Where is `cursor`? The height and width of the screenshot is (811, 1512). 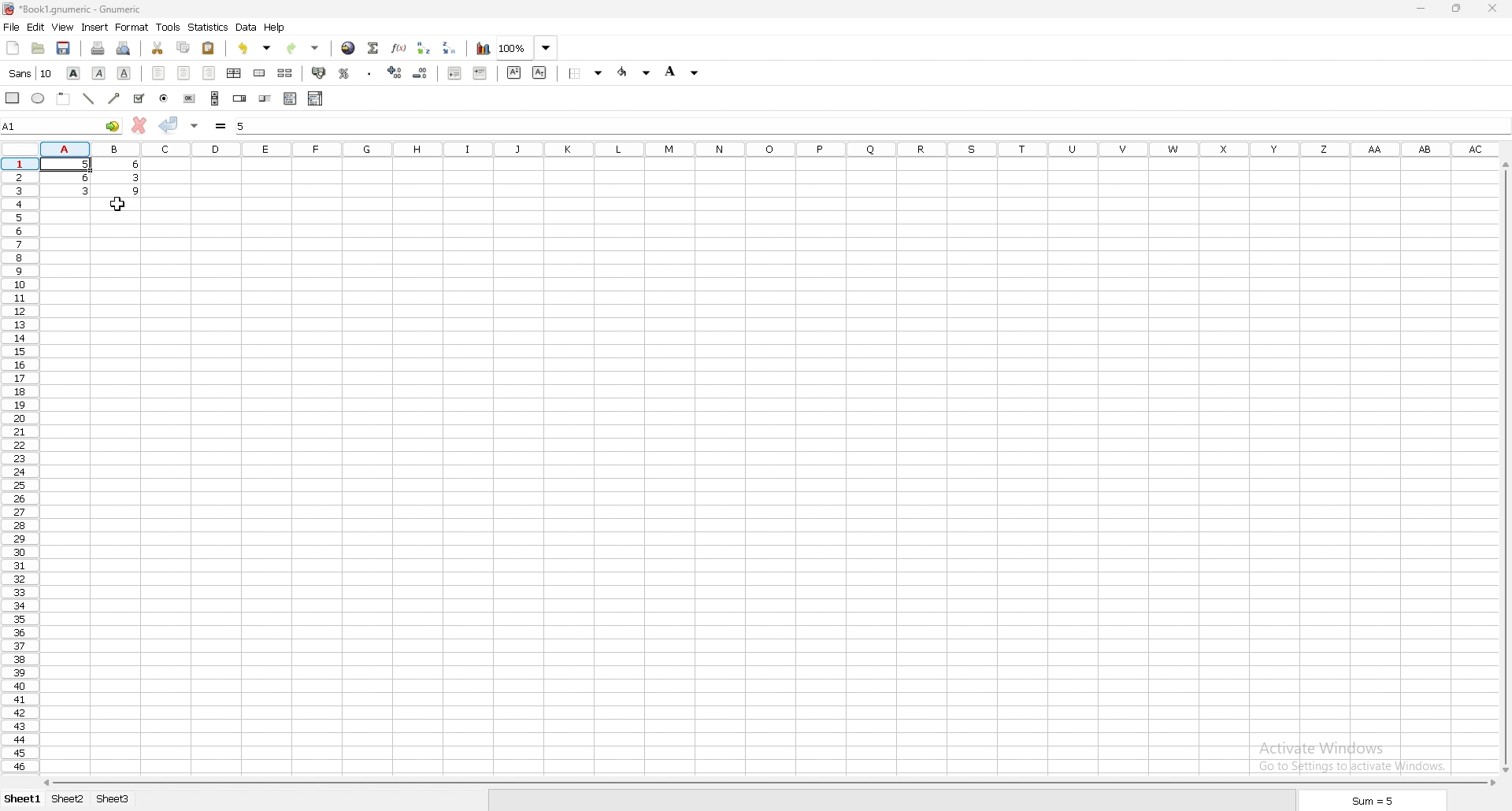 cursor is located at coordinates (118, 206).